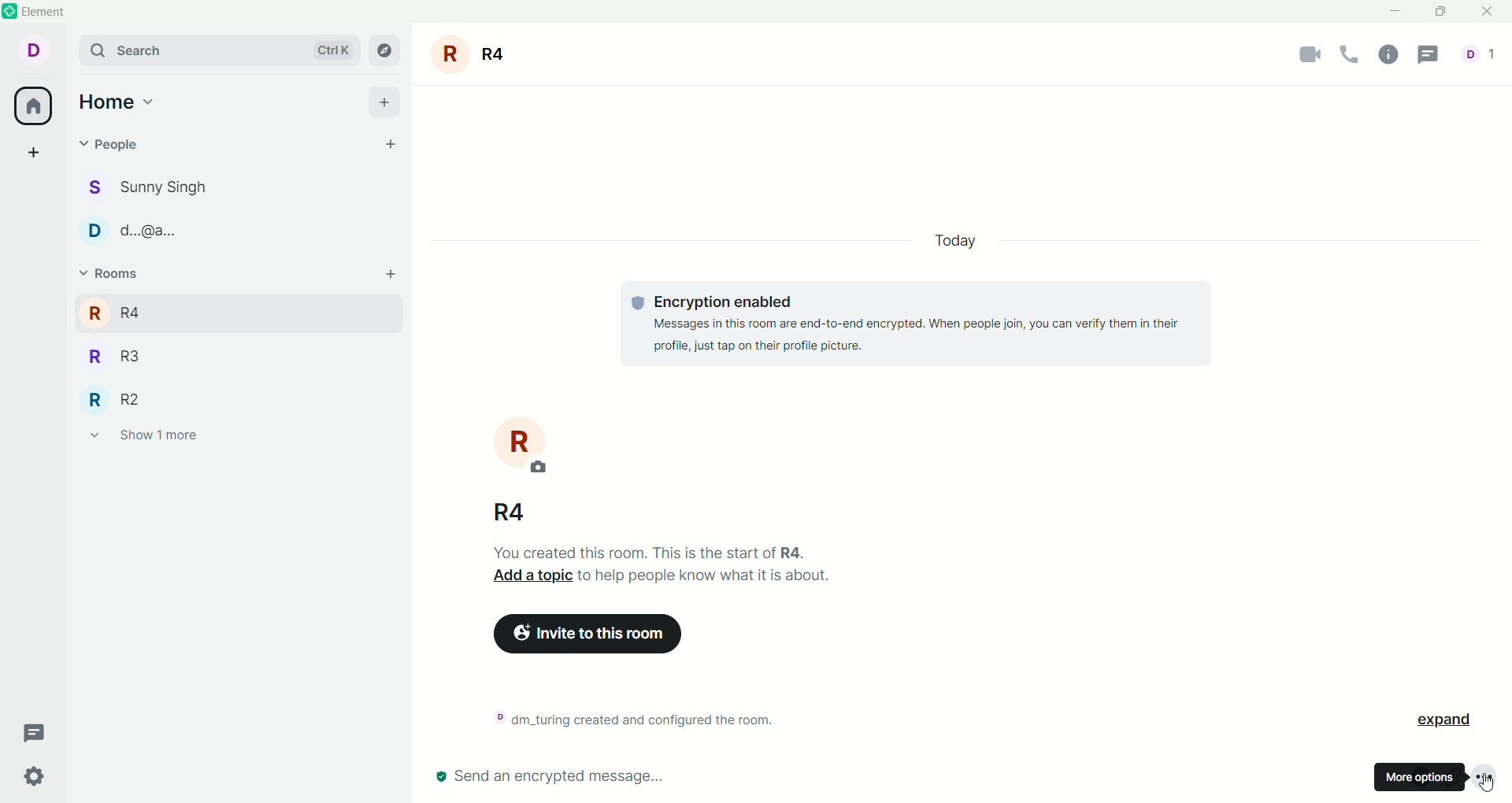  I want to click on video call, so click(1299, 58).